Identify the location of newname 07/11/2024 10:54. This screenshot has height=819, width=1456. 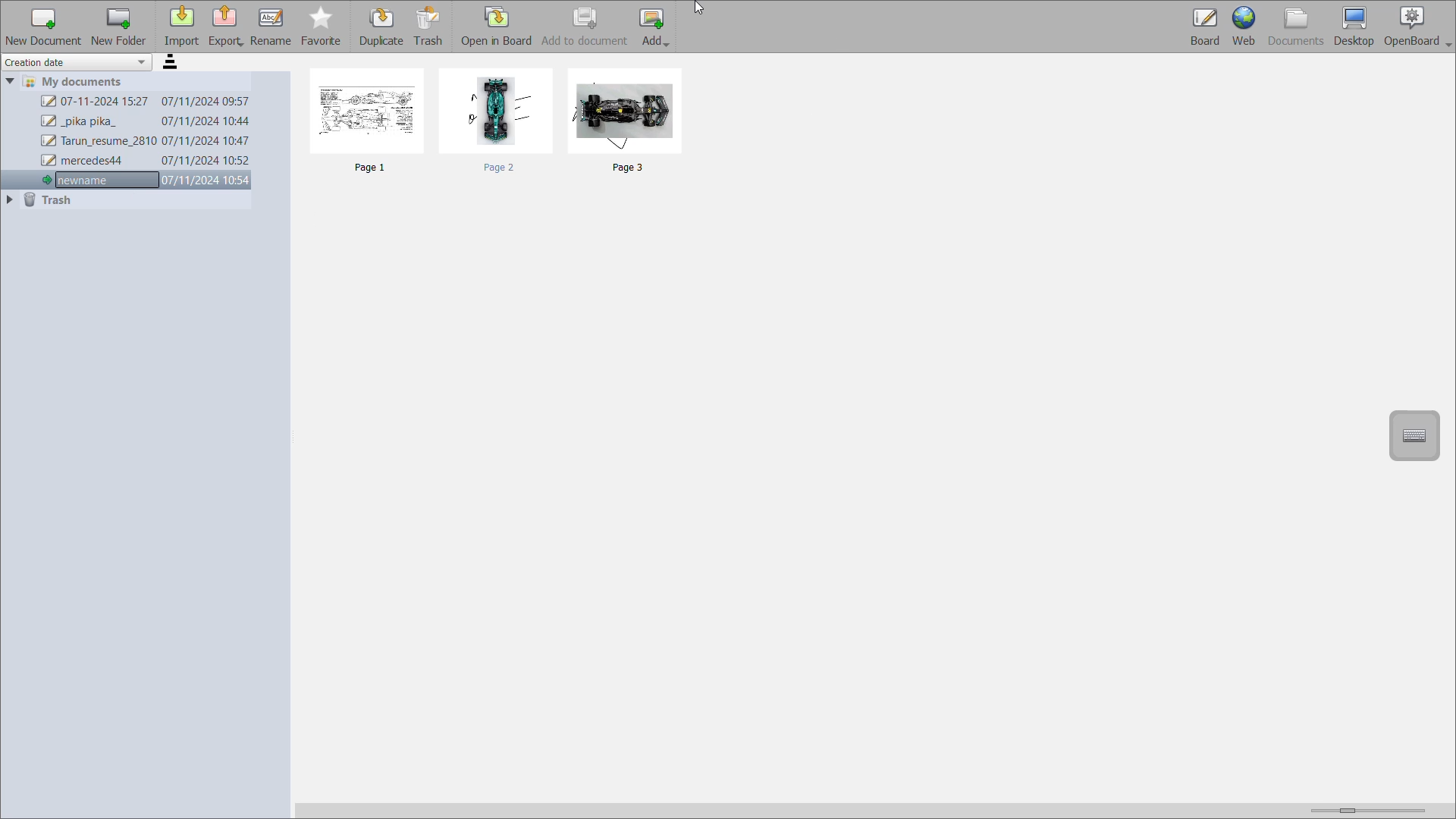
(141, 179).